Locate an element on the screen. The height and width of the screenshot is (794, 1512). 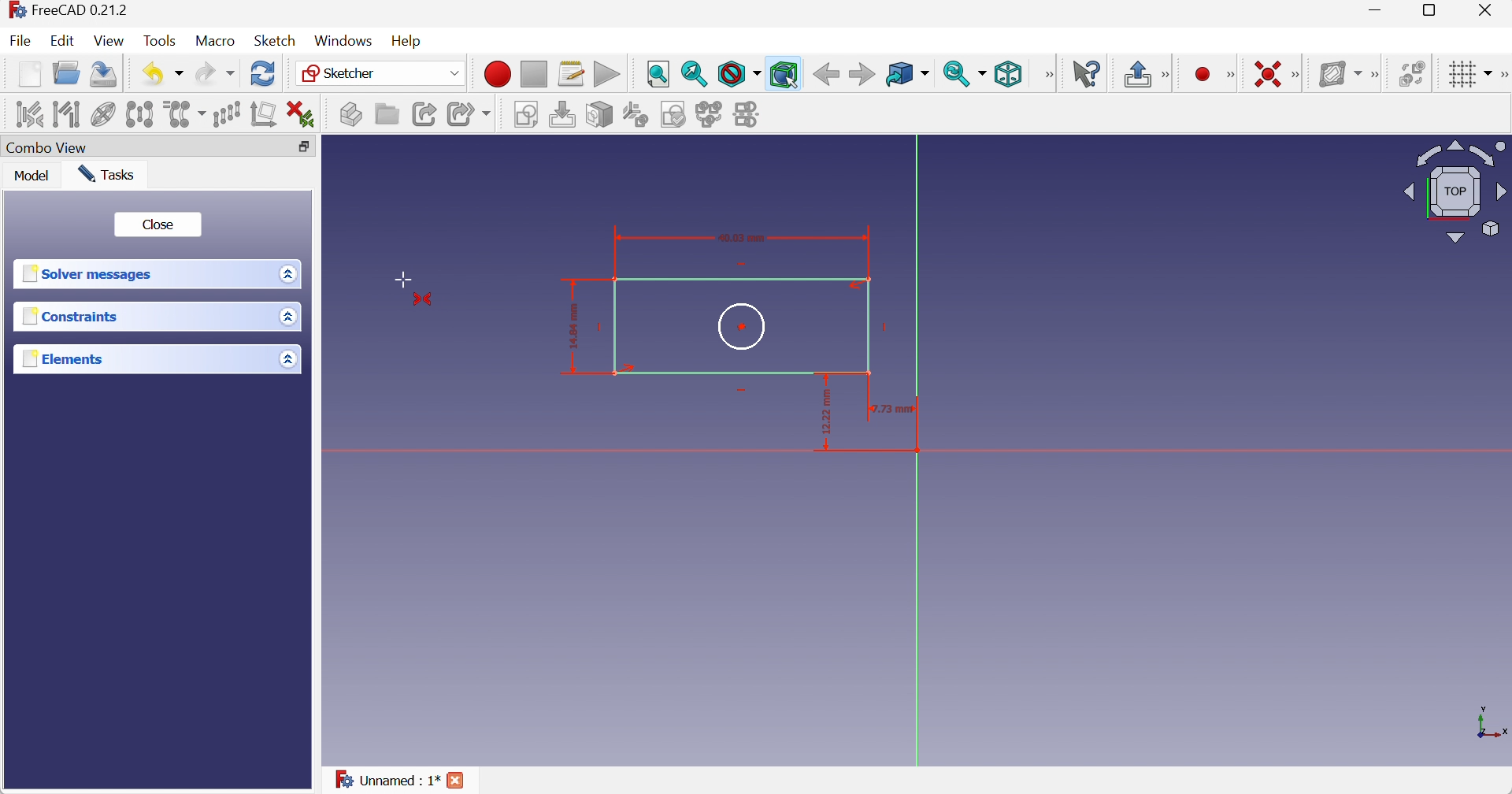
Clone is located at coordinates (187, 114).